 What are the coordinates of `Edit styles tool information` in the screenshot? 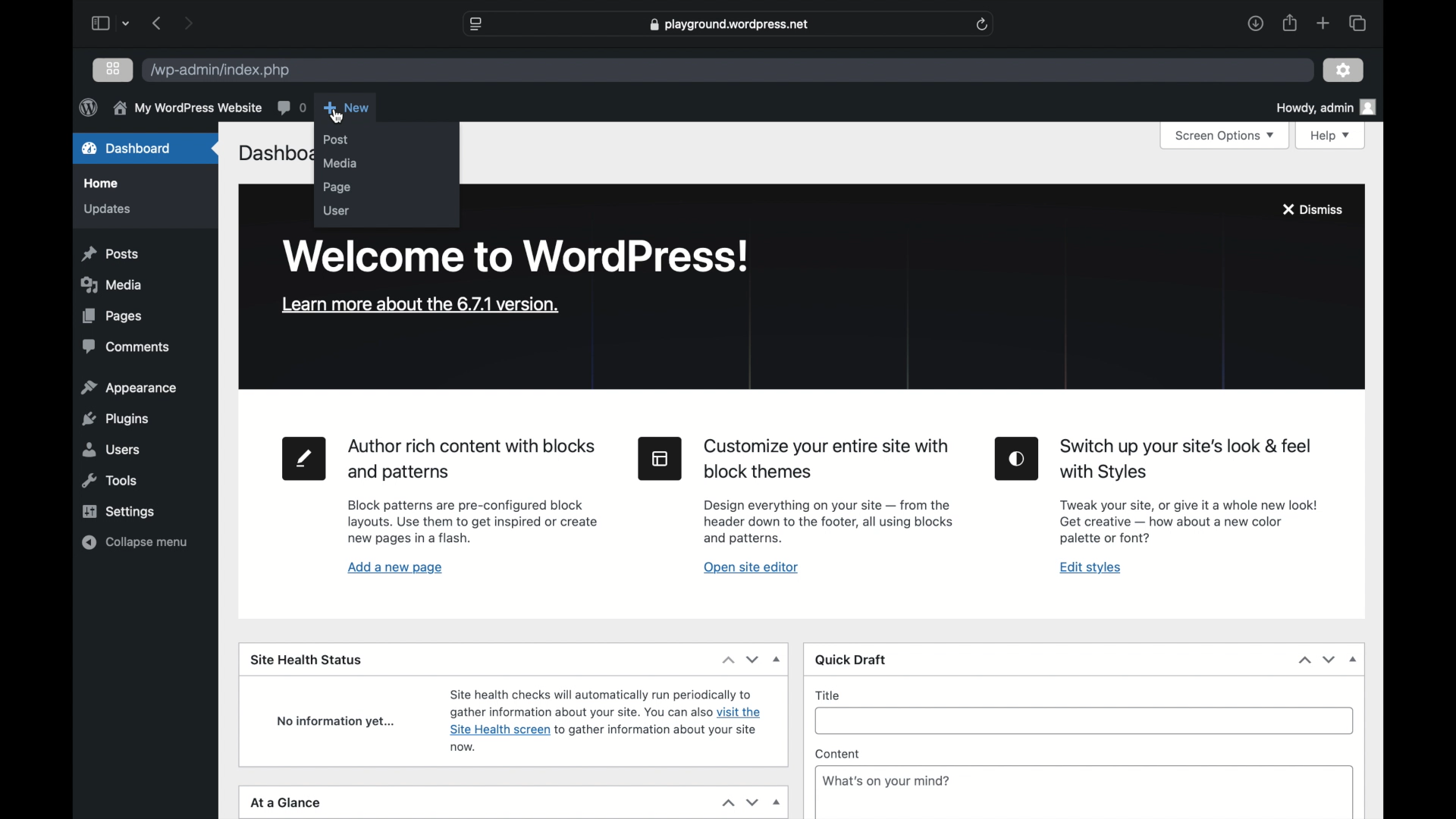 It's located at (1188, 522).